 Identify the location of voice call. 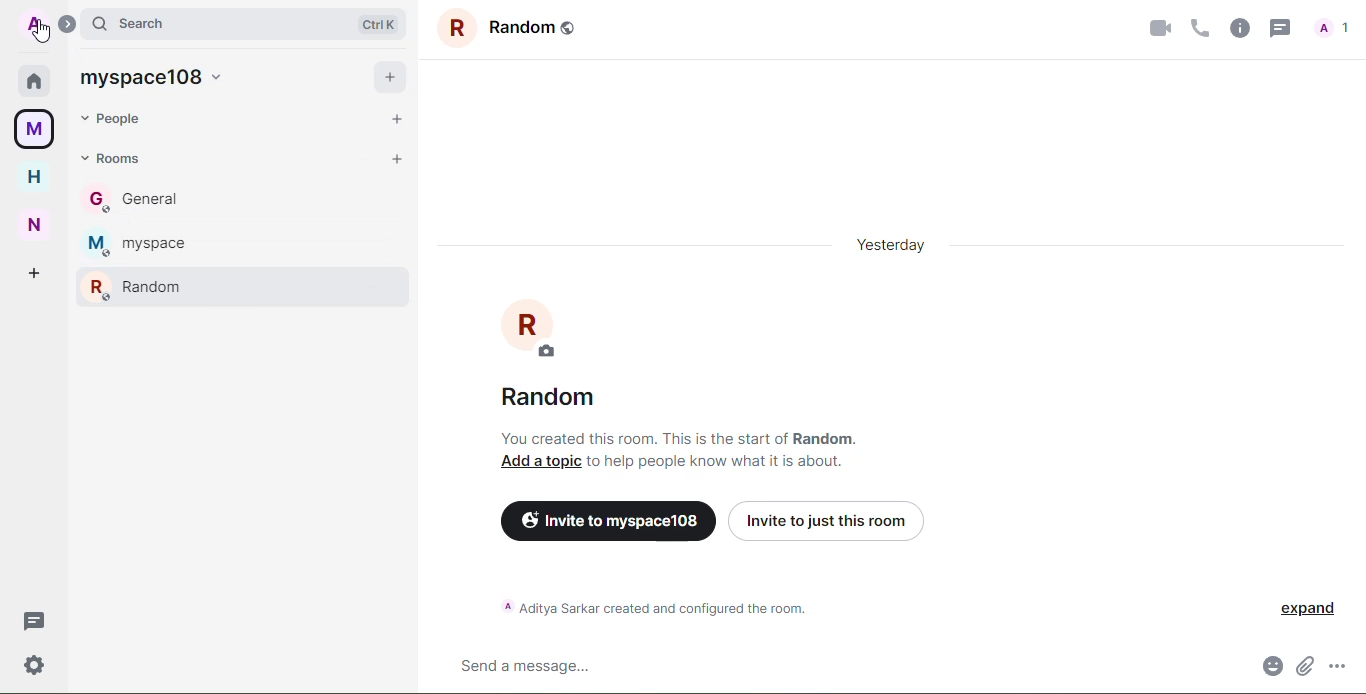
(1196, 26).